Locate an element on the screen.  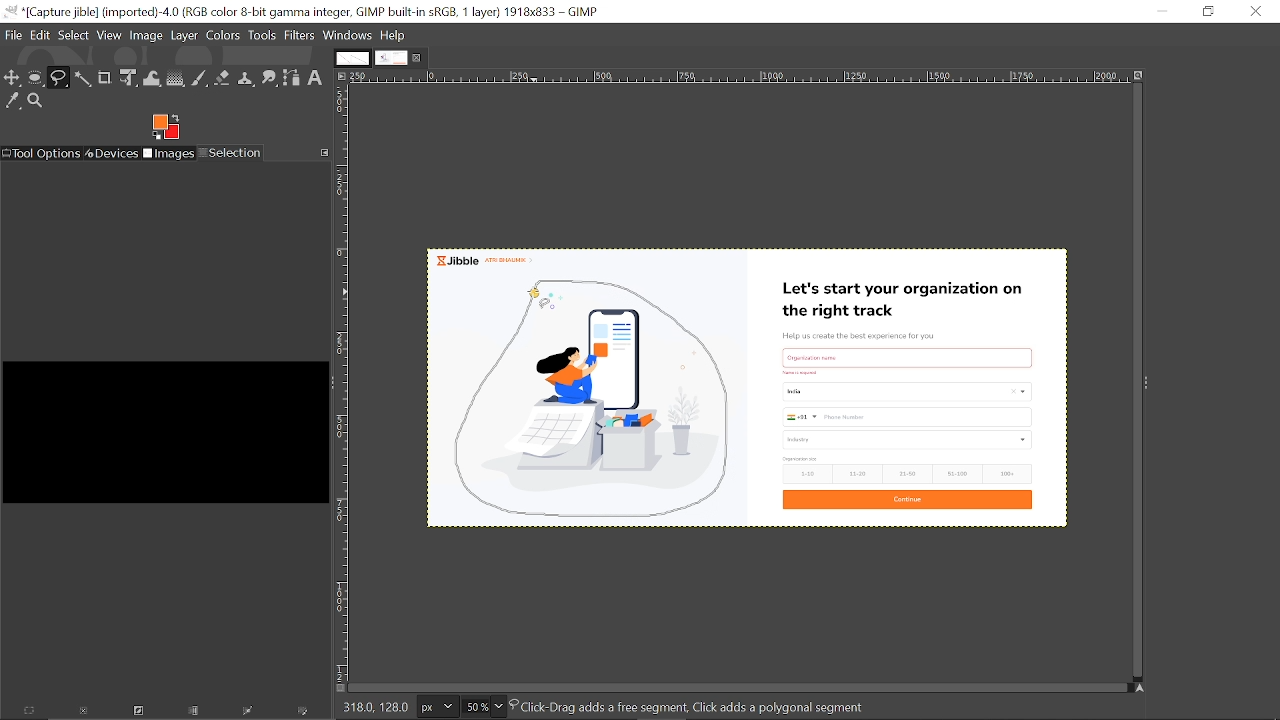
coordinates is located at coordinates (374, 706).